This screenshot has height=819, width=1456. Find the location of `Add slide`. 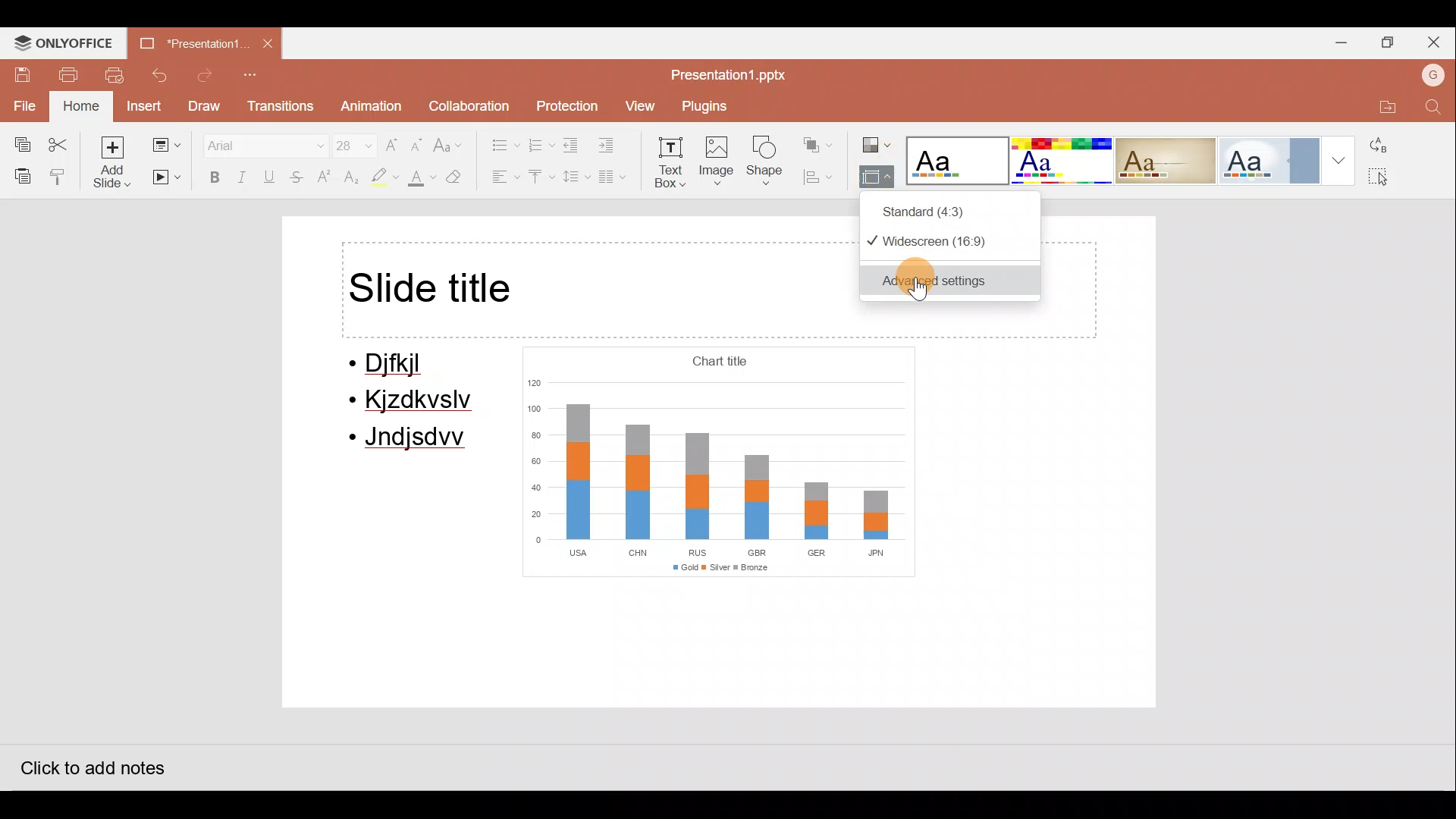

Add slide is located at coordinates (113, 162).